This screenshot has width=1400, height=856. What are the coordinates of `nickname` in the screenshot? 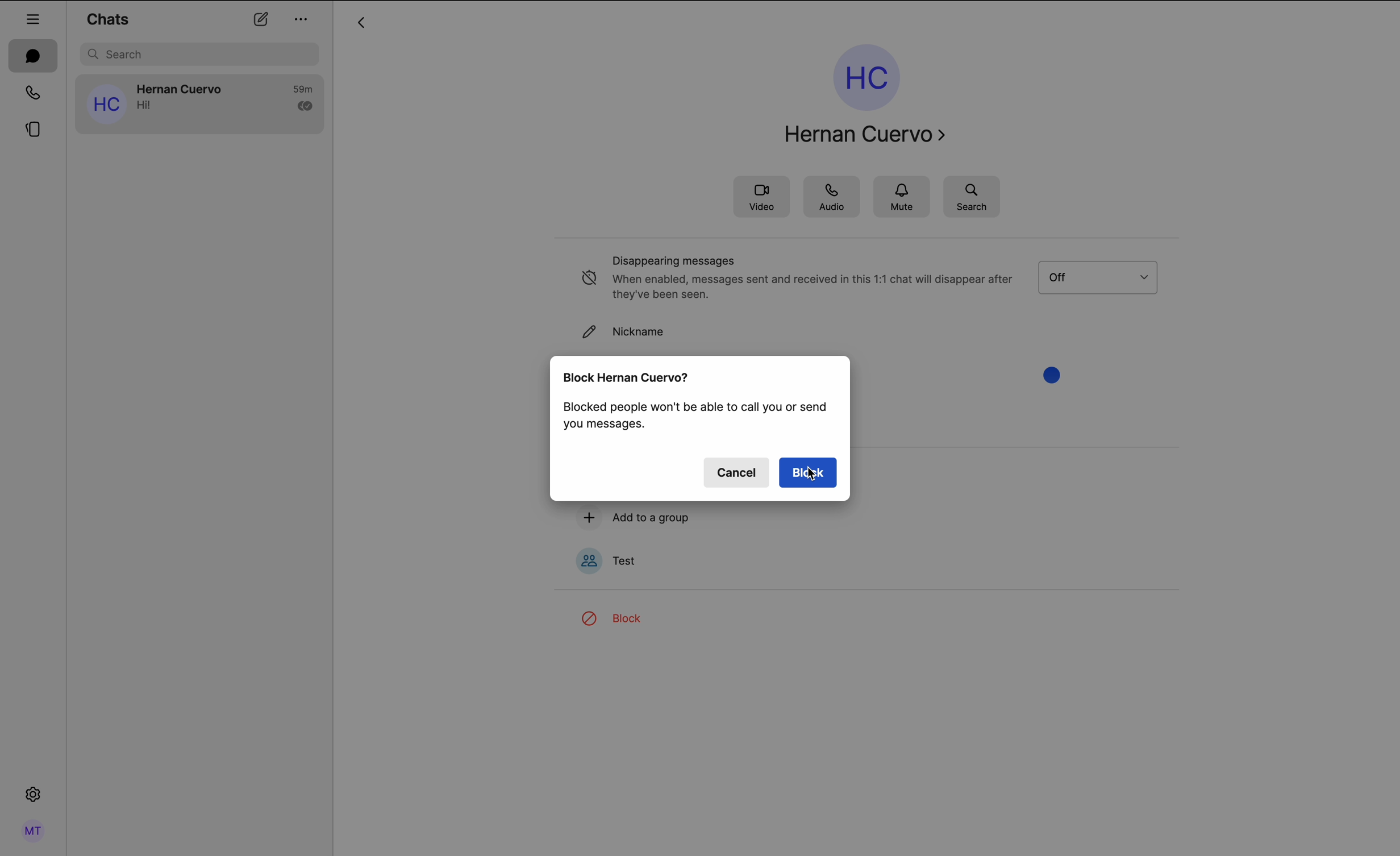 It's located at (624, 334).